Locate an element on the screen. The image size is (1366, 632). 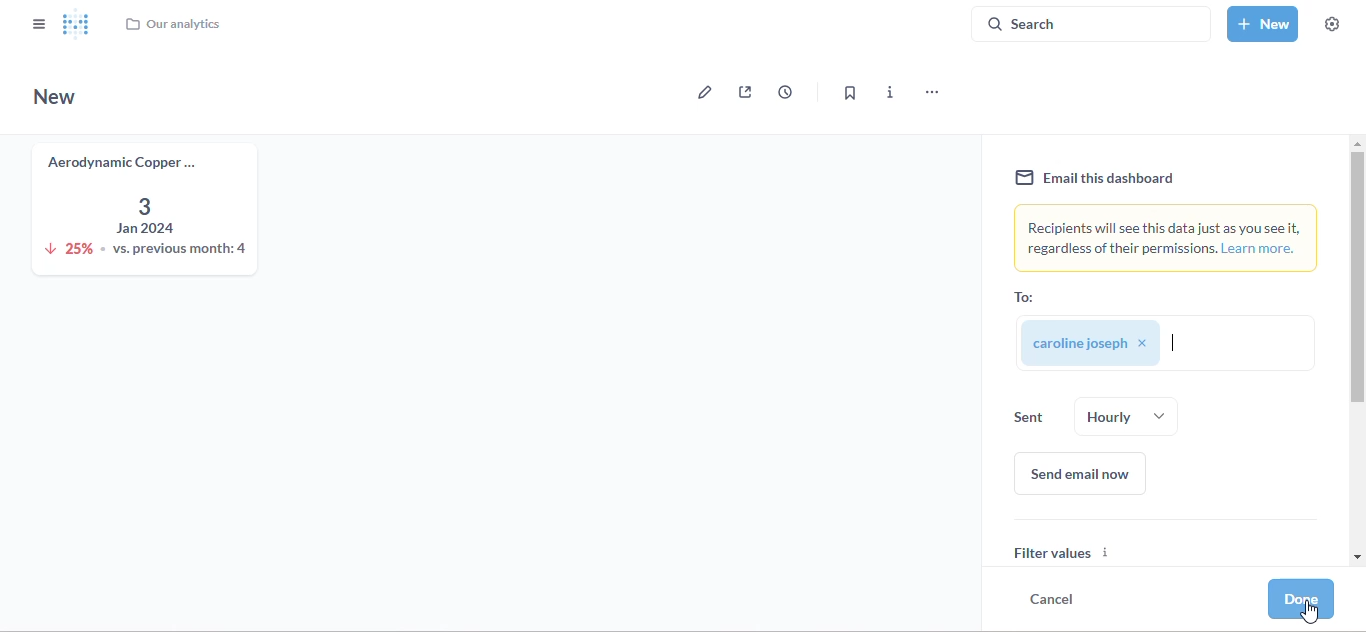
email this dashboard is located at coordinates (1095, 178).